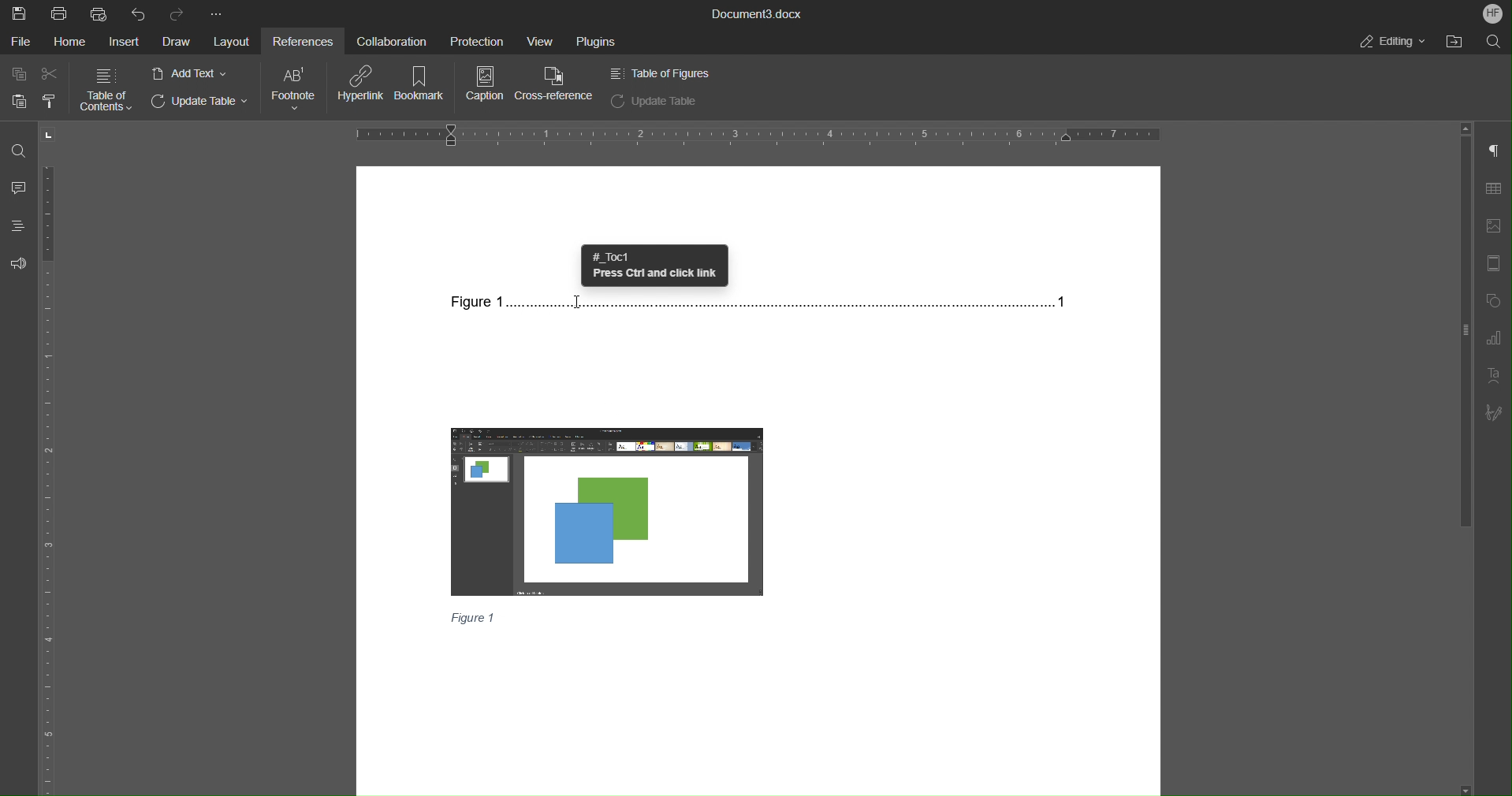 This screenshot has width=1512, height=796. What do you see at coordinates (758, 133) in the screenshot?
I see `Horizontal Ruler` at bounding box center [758, 133].